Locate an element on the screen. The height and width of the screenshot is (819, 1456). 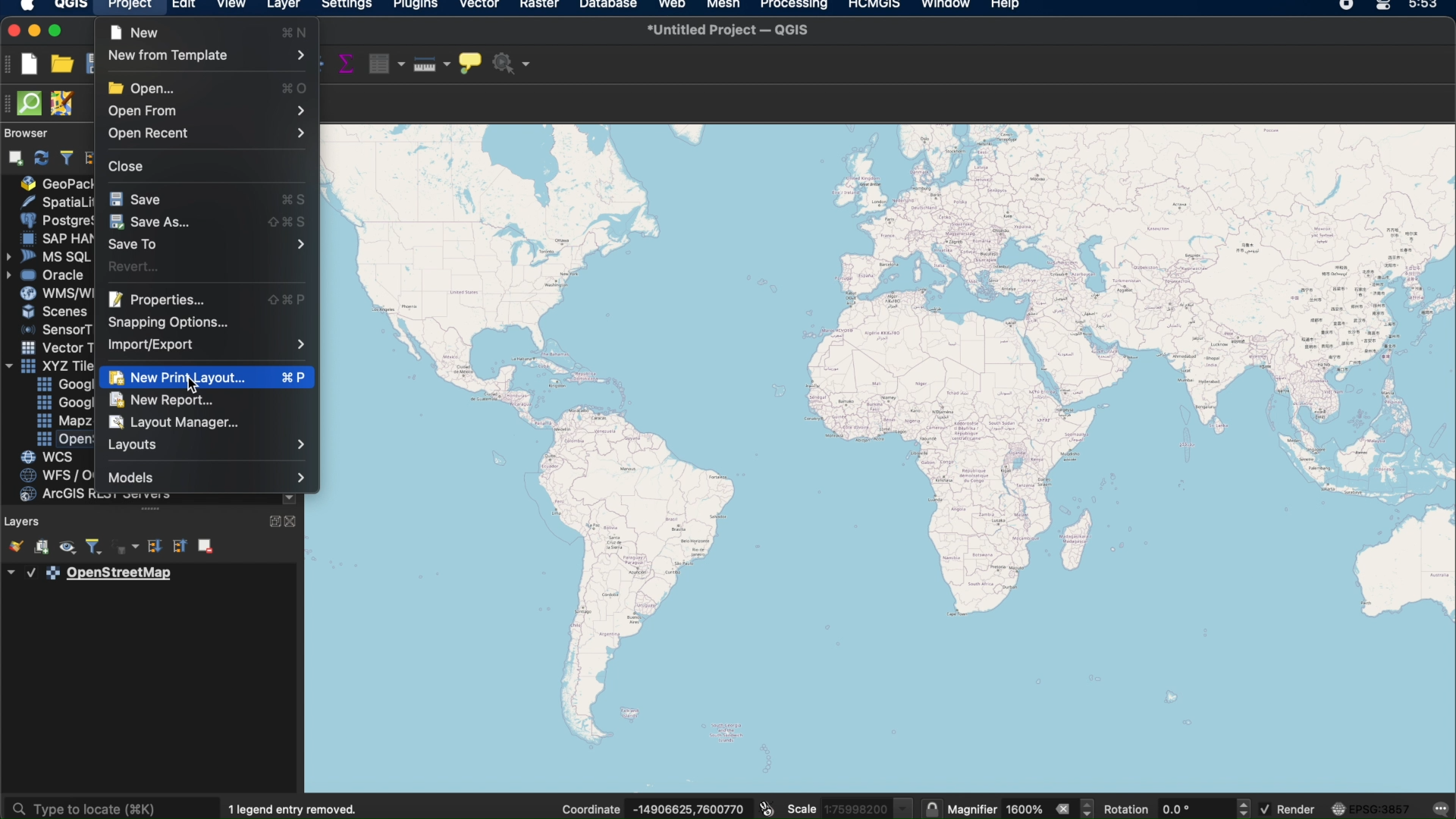
Open From  is located at coordinates (208, 111).